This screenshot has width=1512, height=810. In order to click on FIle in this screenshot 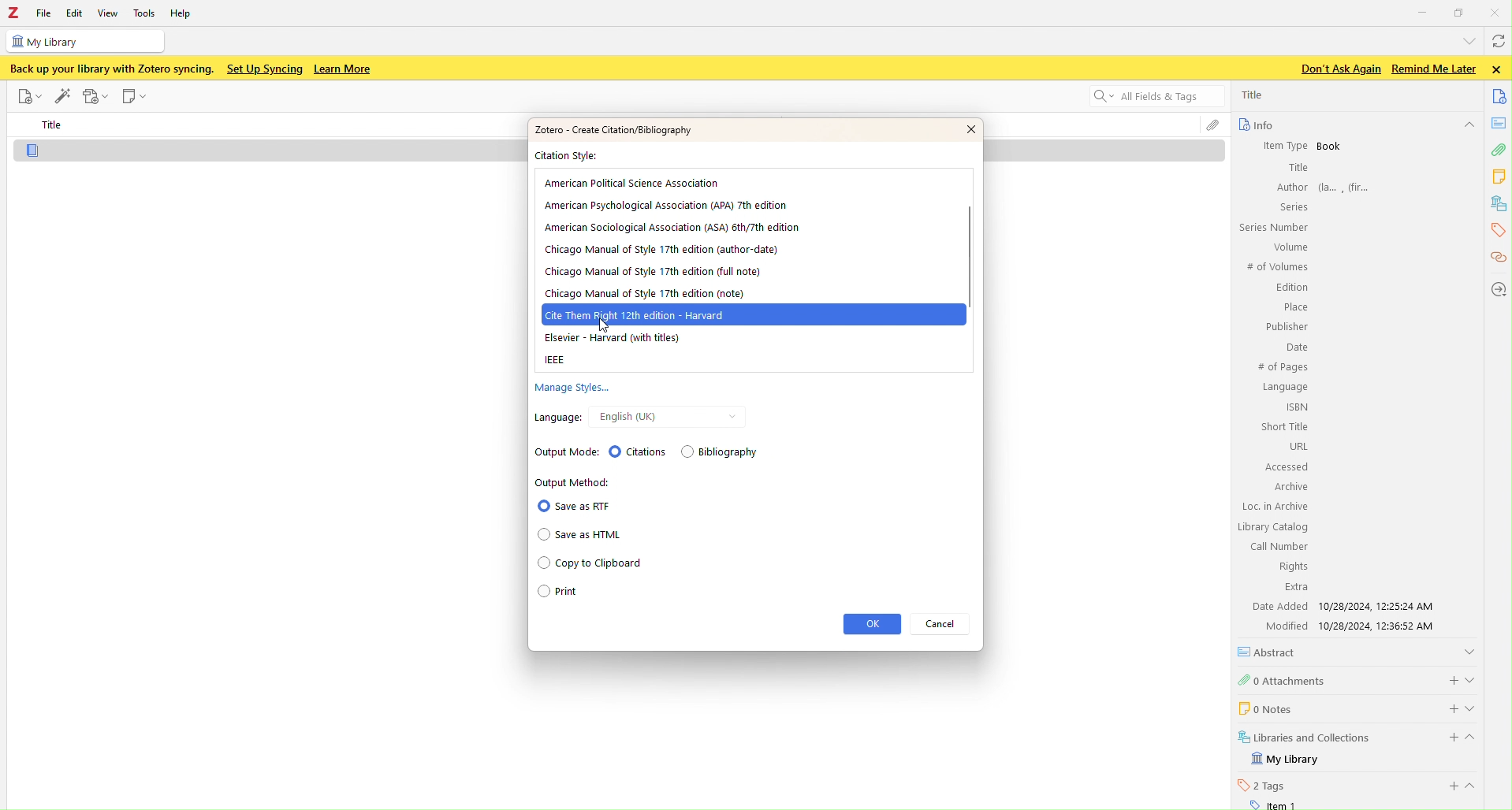, I will do `click(44, 13)`.